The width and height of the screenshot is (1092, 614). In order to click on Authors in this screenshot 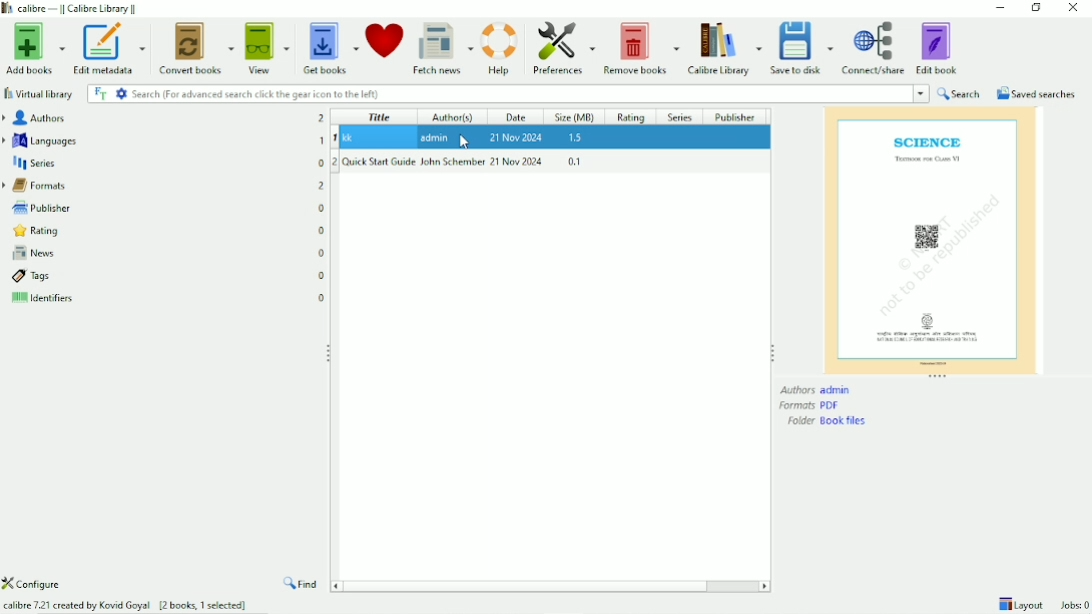, I will do `click(816, 389)`.